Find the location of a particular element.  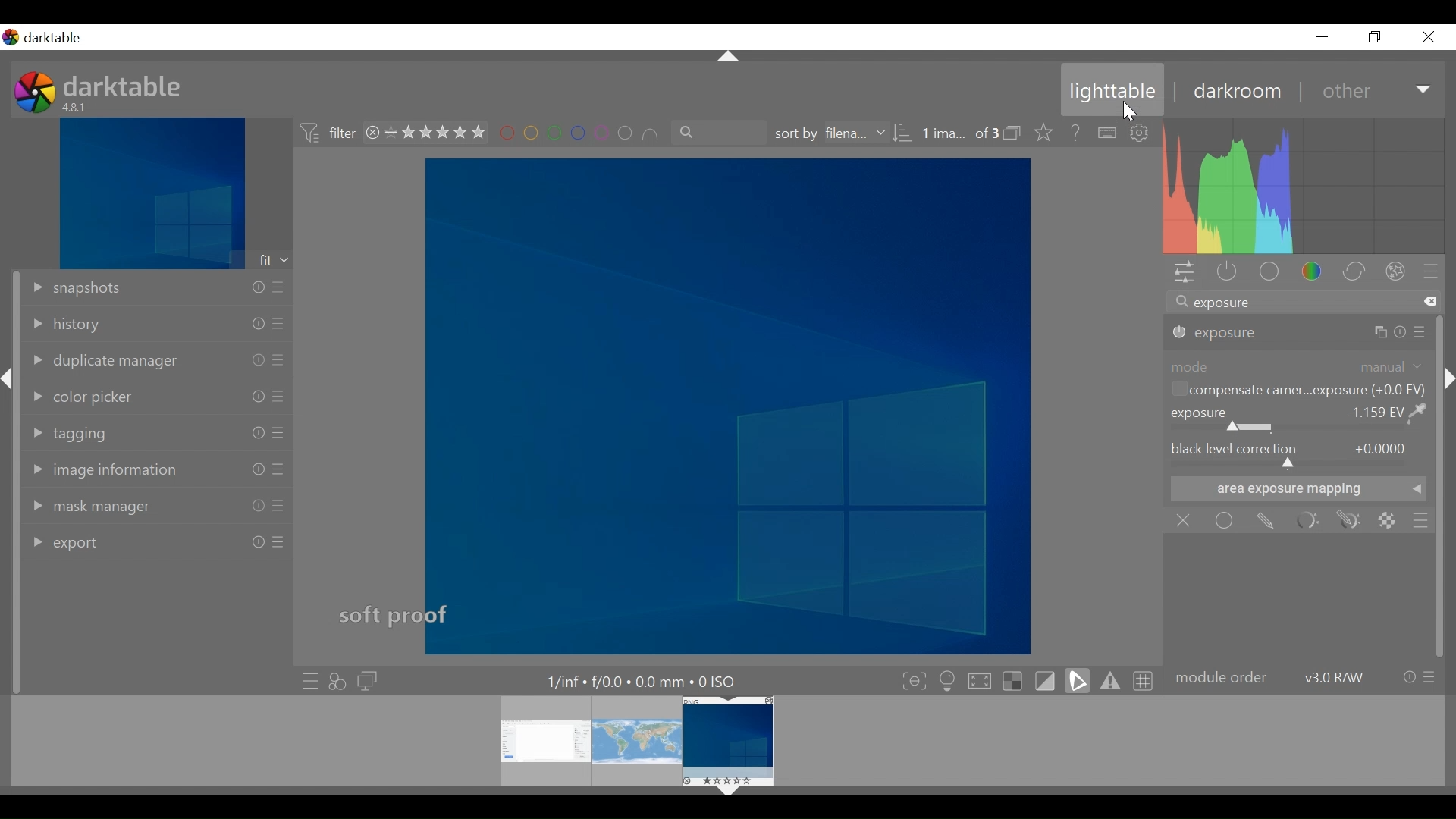

mask manager is located at coordinates (84, 508).